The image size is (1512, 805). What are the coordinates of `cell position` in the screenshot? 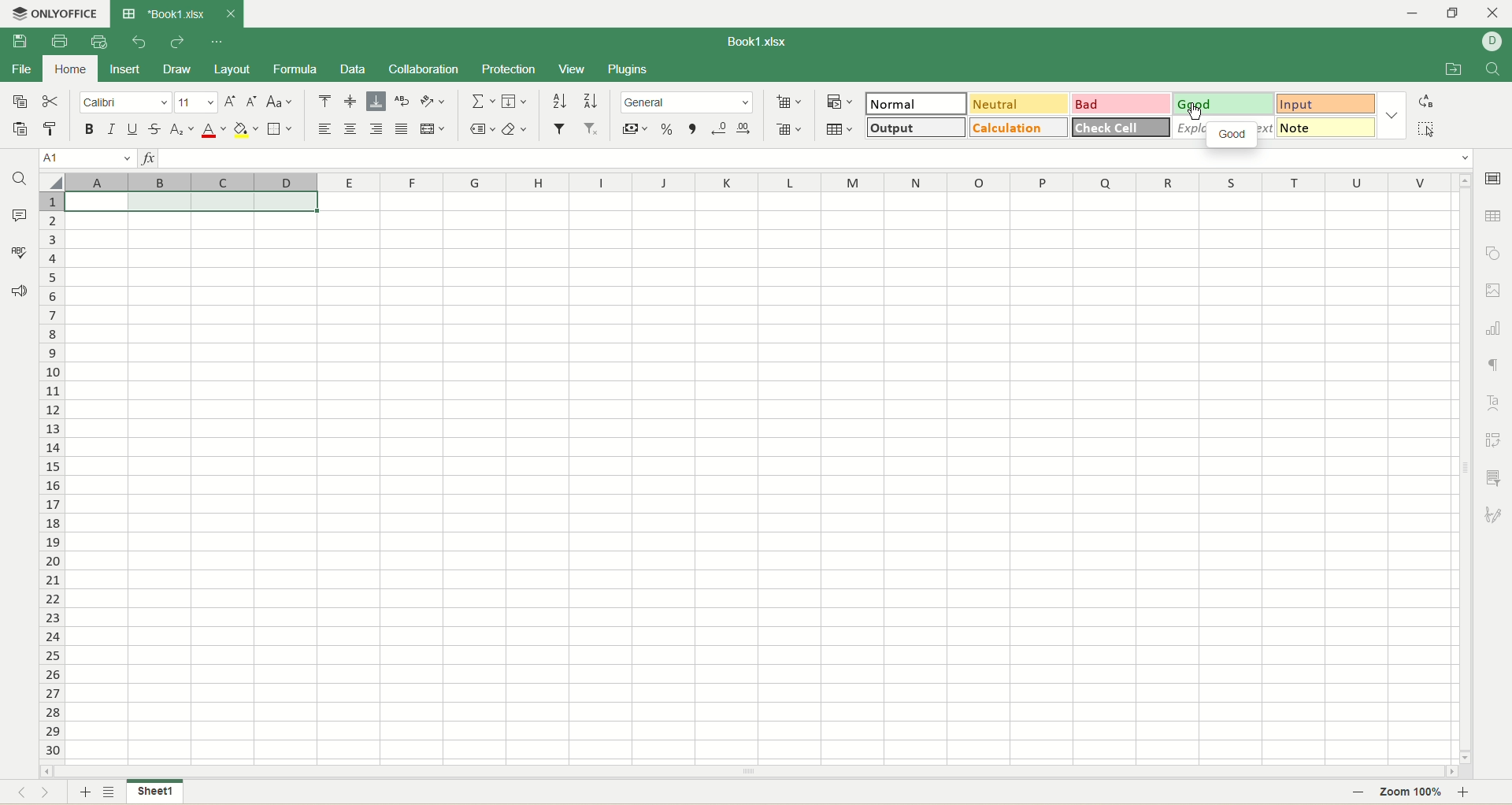 It's located at (89, 158).